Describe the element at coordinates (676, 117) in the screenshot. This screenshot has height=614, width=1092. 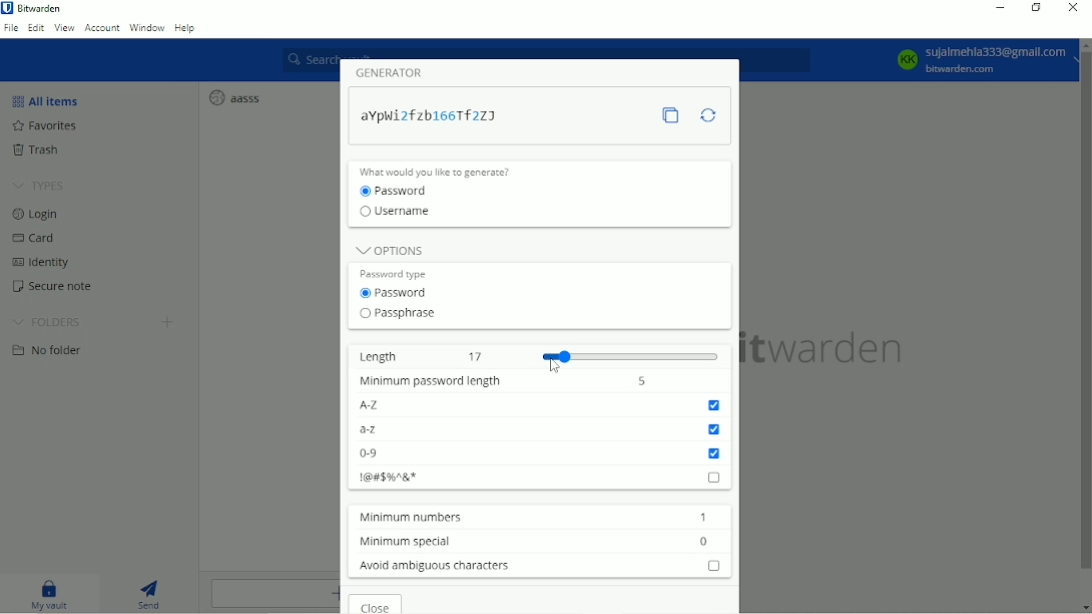
I see `Copy password` at that location.